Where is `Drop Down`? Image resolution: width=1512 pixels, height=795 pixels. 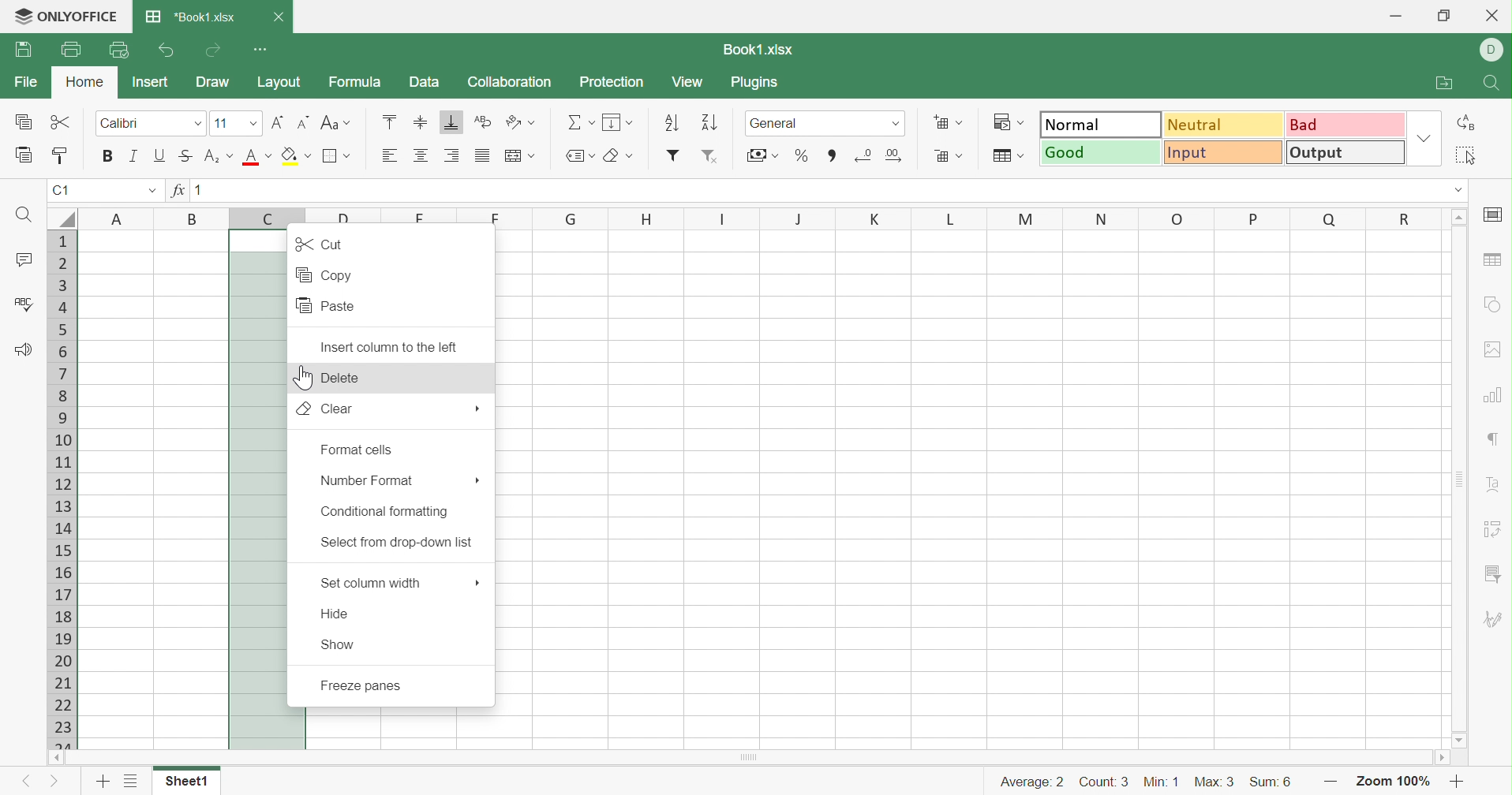 Drop Down is located at coordinates (775, 155).